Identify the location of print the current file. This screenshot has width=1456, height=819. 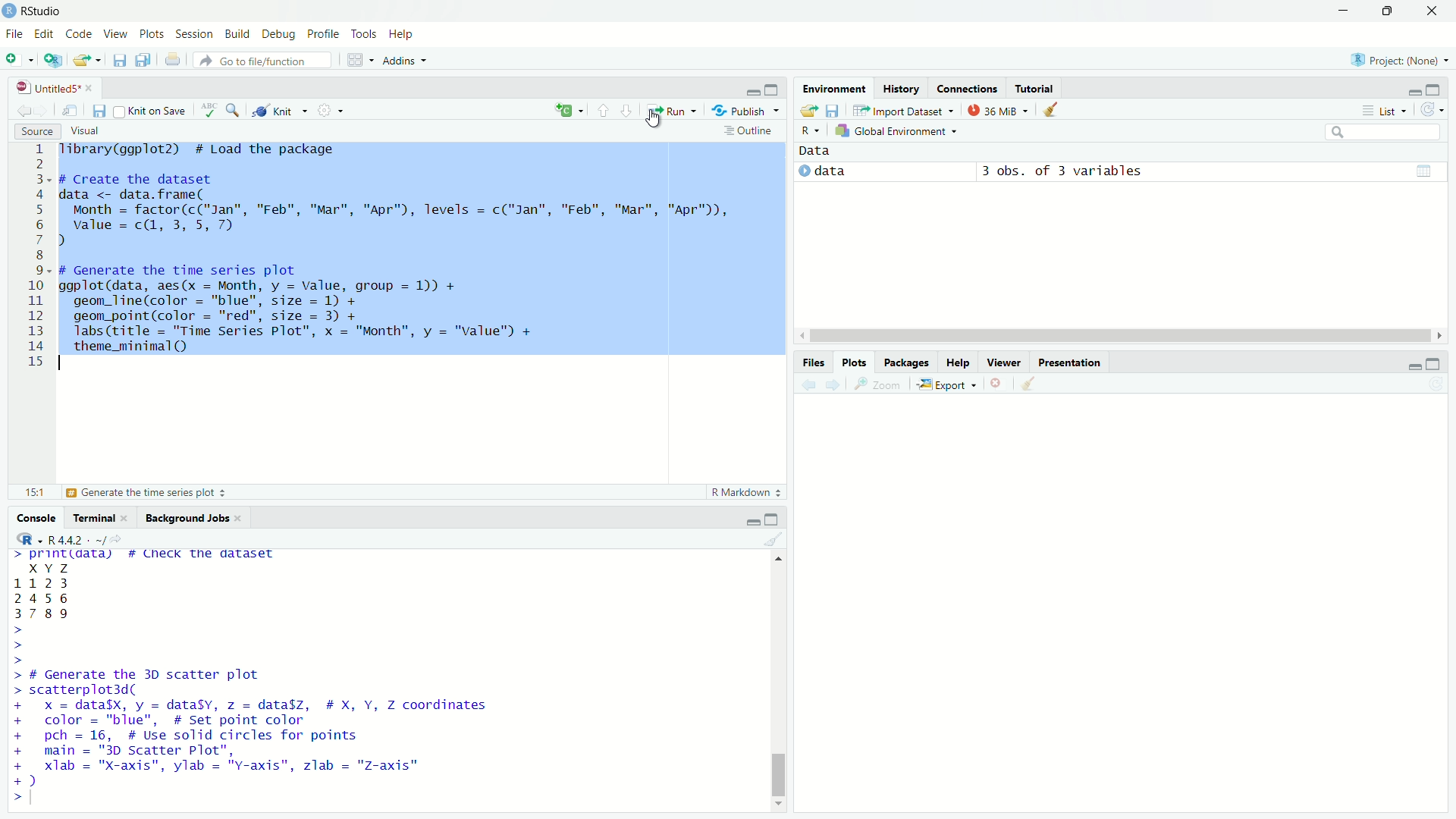
(171, 59).